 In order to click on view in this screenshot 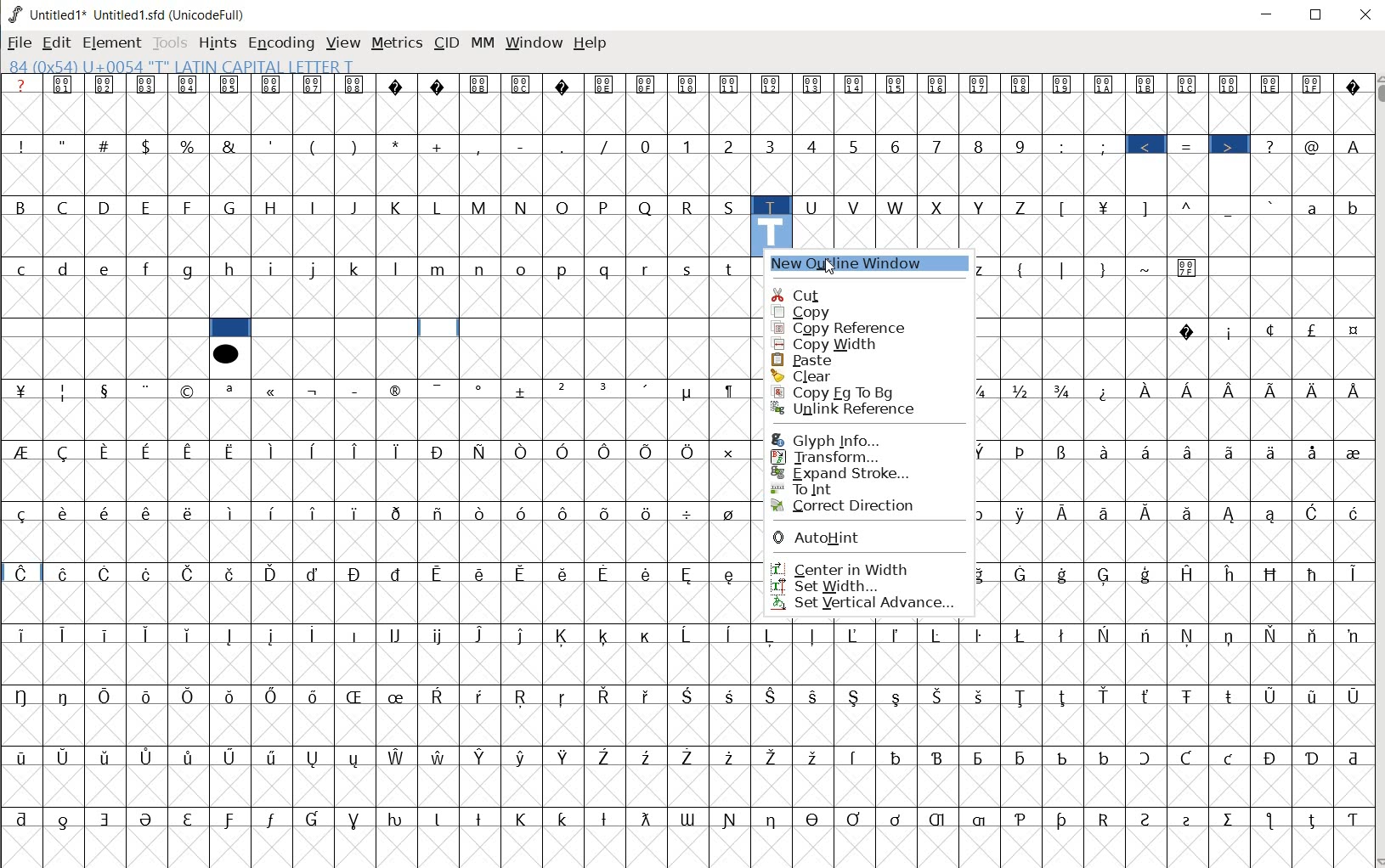, I will do `click(344, 42)`.